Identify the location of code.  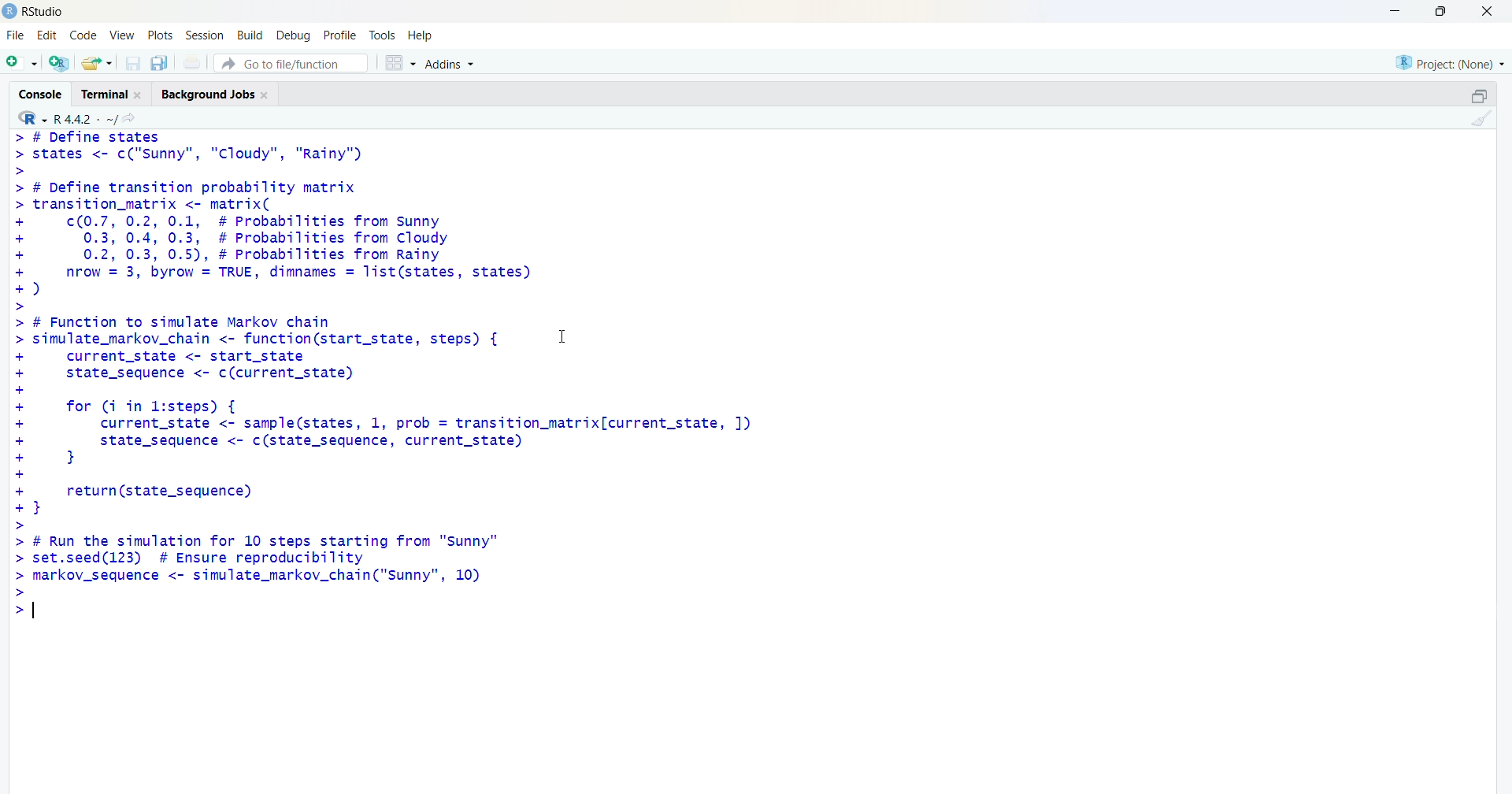
(86, 33).